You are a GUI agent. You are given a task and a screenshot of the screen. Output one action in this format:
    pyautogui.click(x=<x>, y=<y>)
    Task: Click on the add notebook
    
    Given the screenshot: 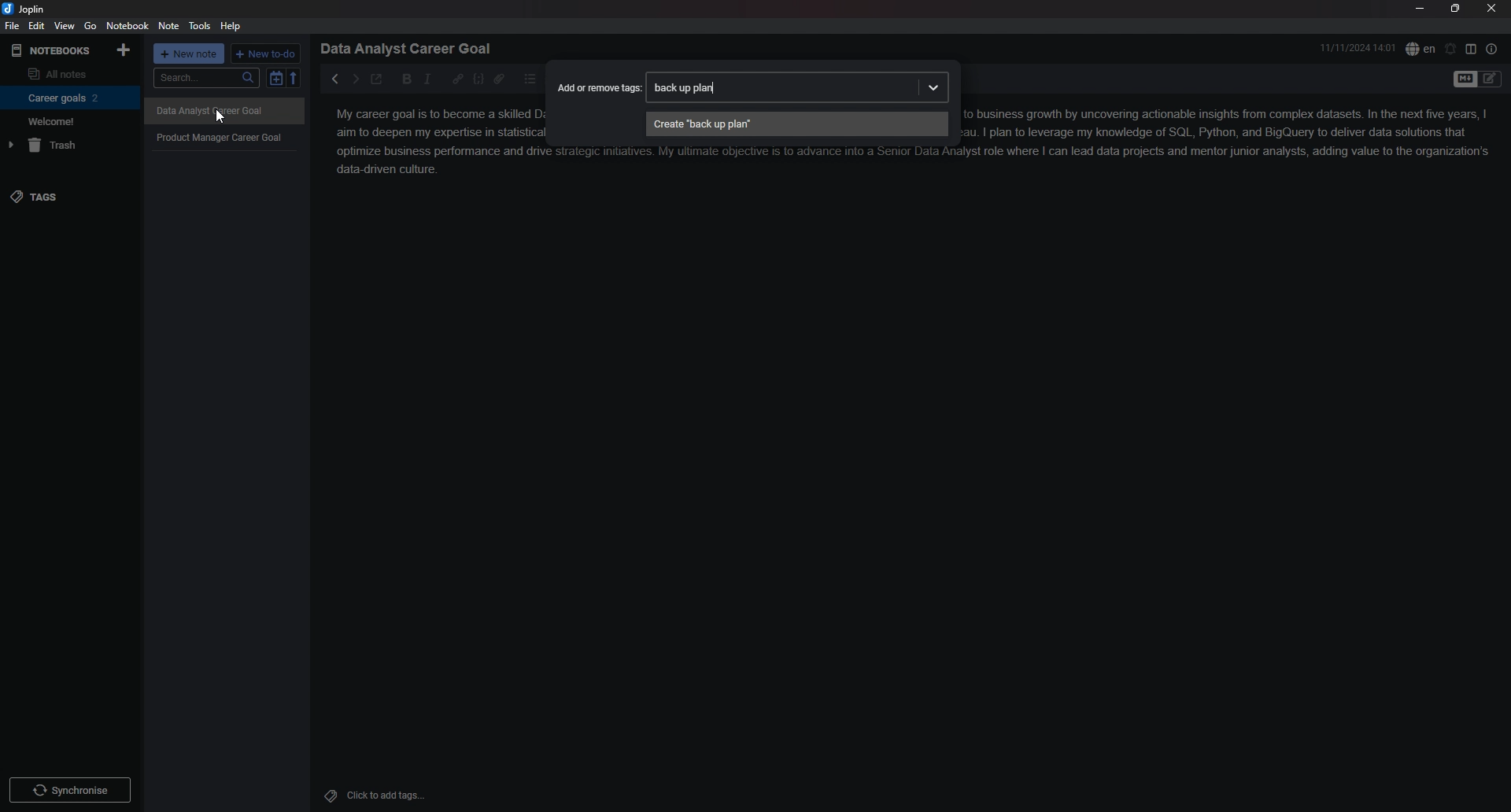 What is the action you would take?
    pyautogui.click(x=125, y=50)
    